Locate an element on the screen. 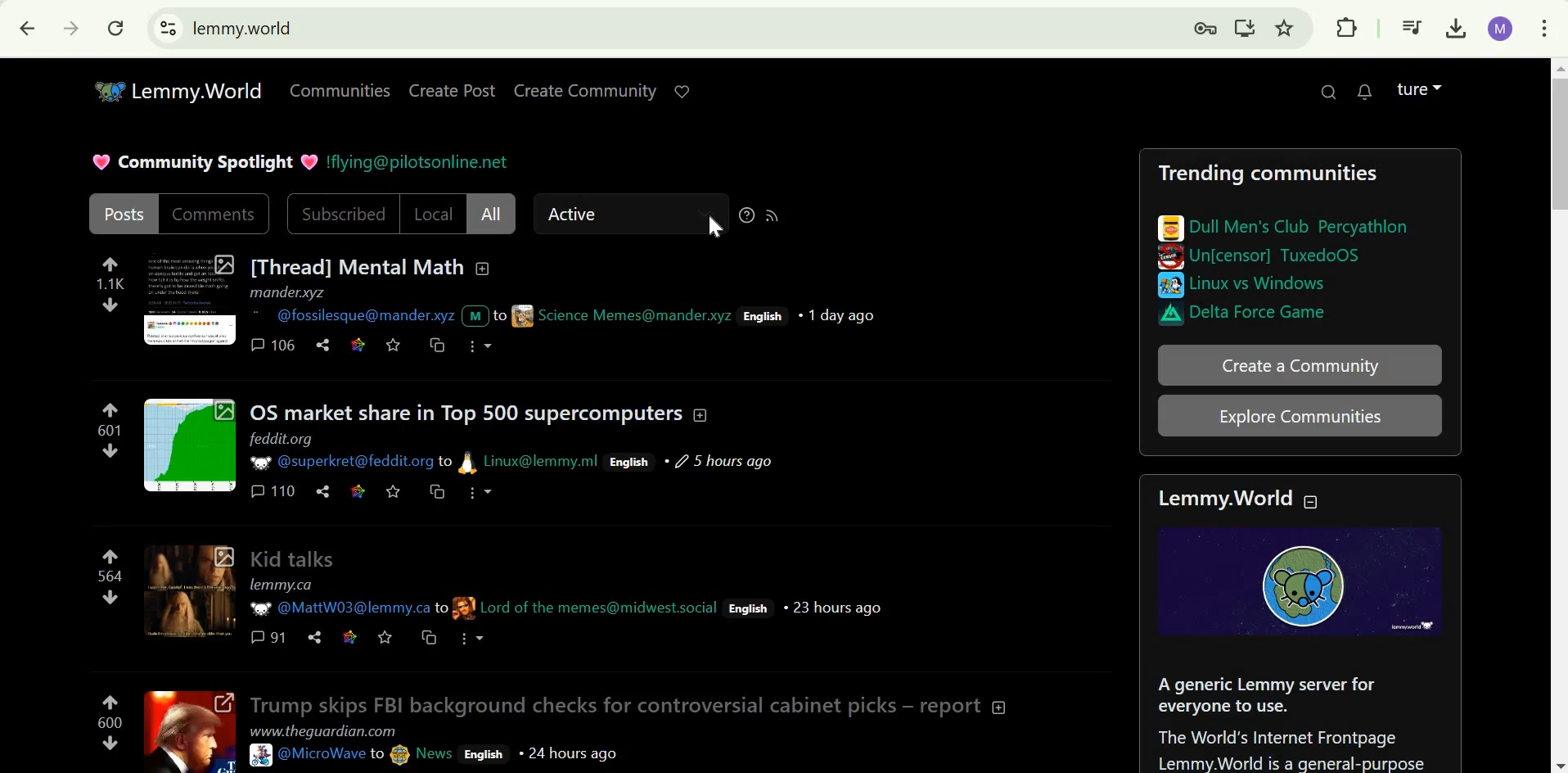 The image size is (1568, 773). Link is located at coordinates (349, 636).